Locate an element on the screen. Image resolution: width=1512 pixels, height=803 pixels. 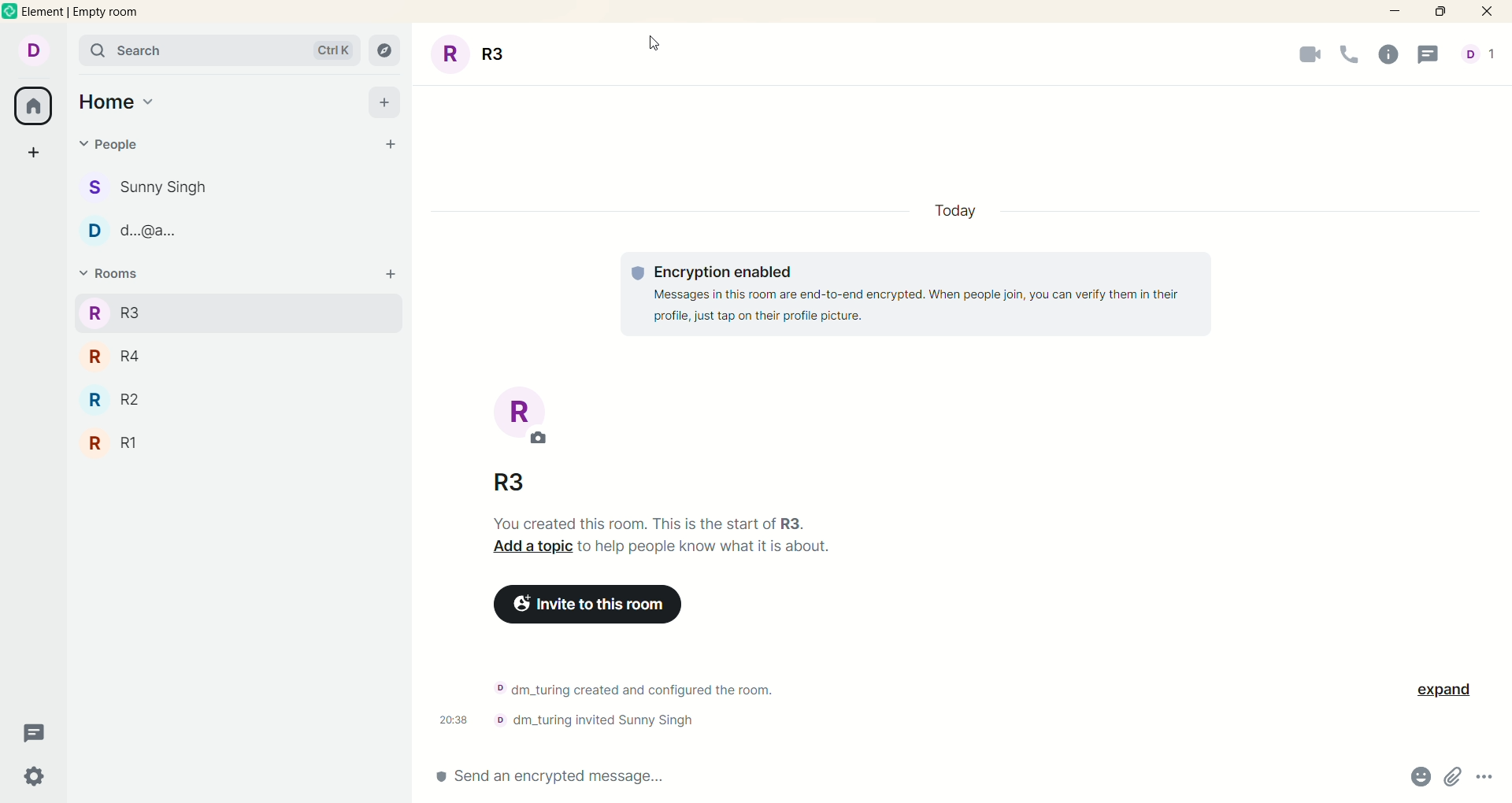
home is located at coordinates (120, 102).